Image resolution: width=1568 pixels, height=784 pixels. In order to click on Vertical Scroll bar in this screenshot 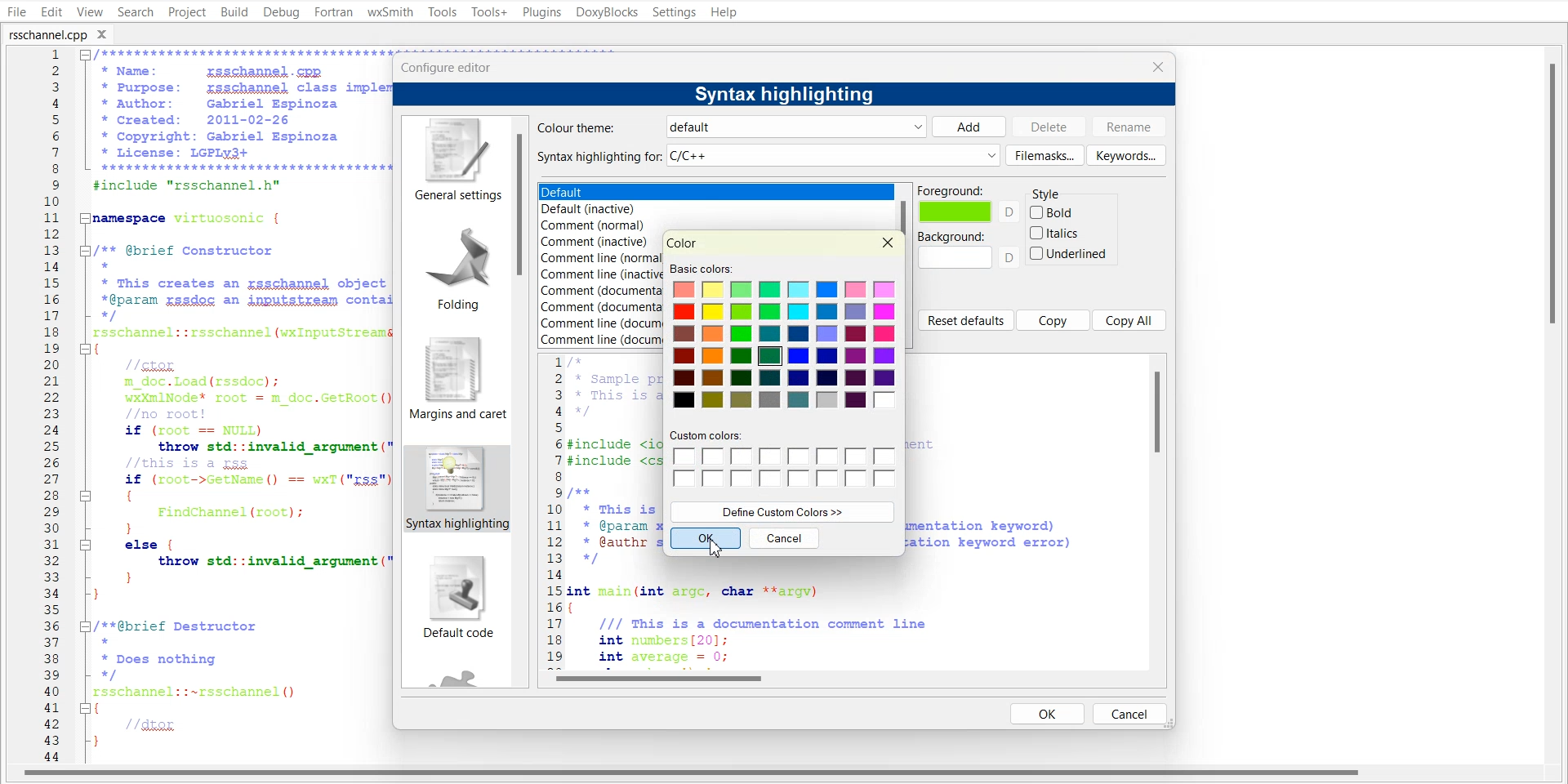, I will do `click(1558, 405)`.